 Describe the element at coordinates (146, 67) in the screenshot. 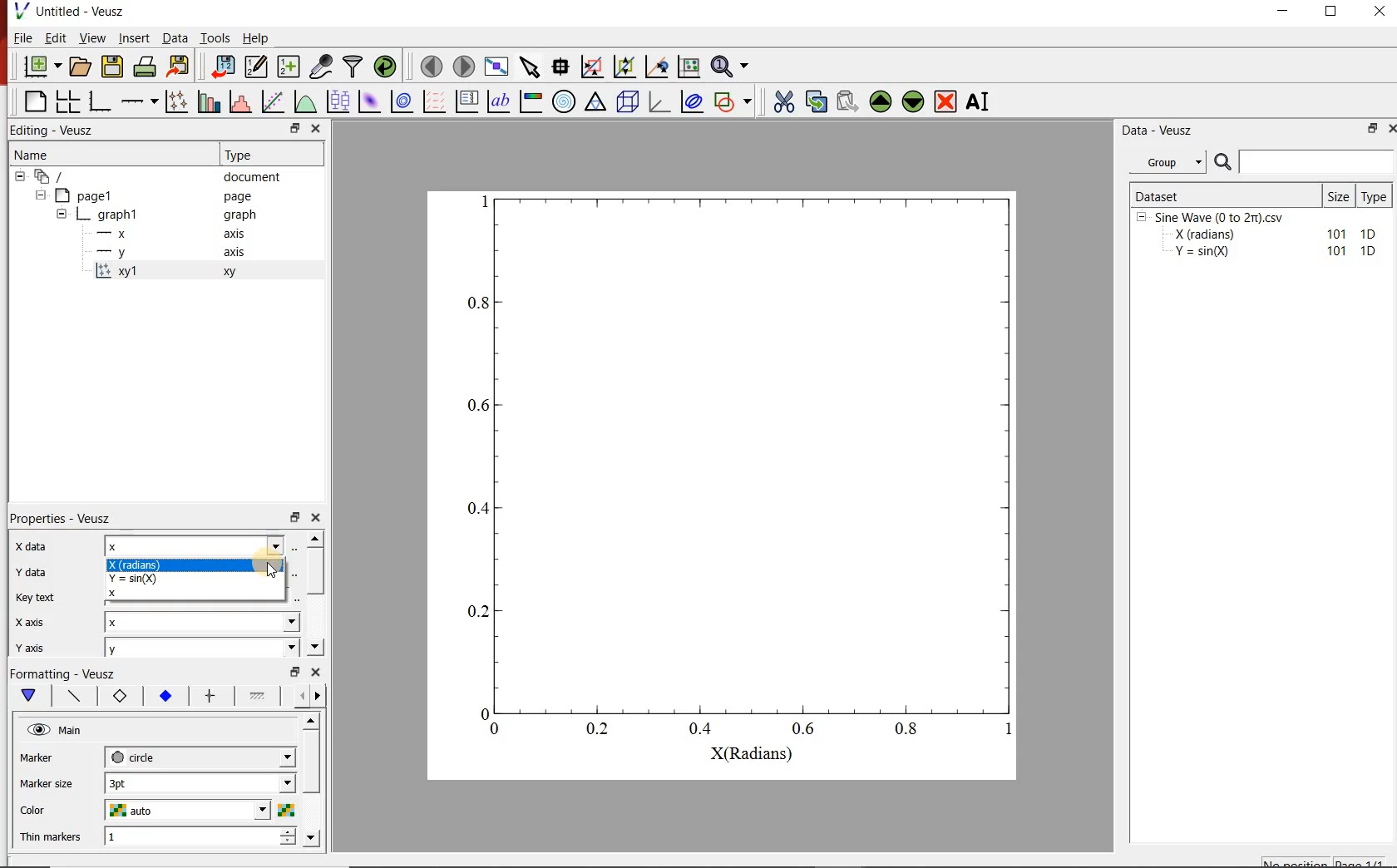

I see `print` at that location.